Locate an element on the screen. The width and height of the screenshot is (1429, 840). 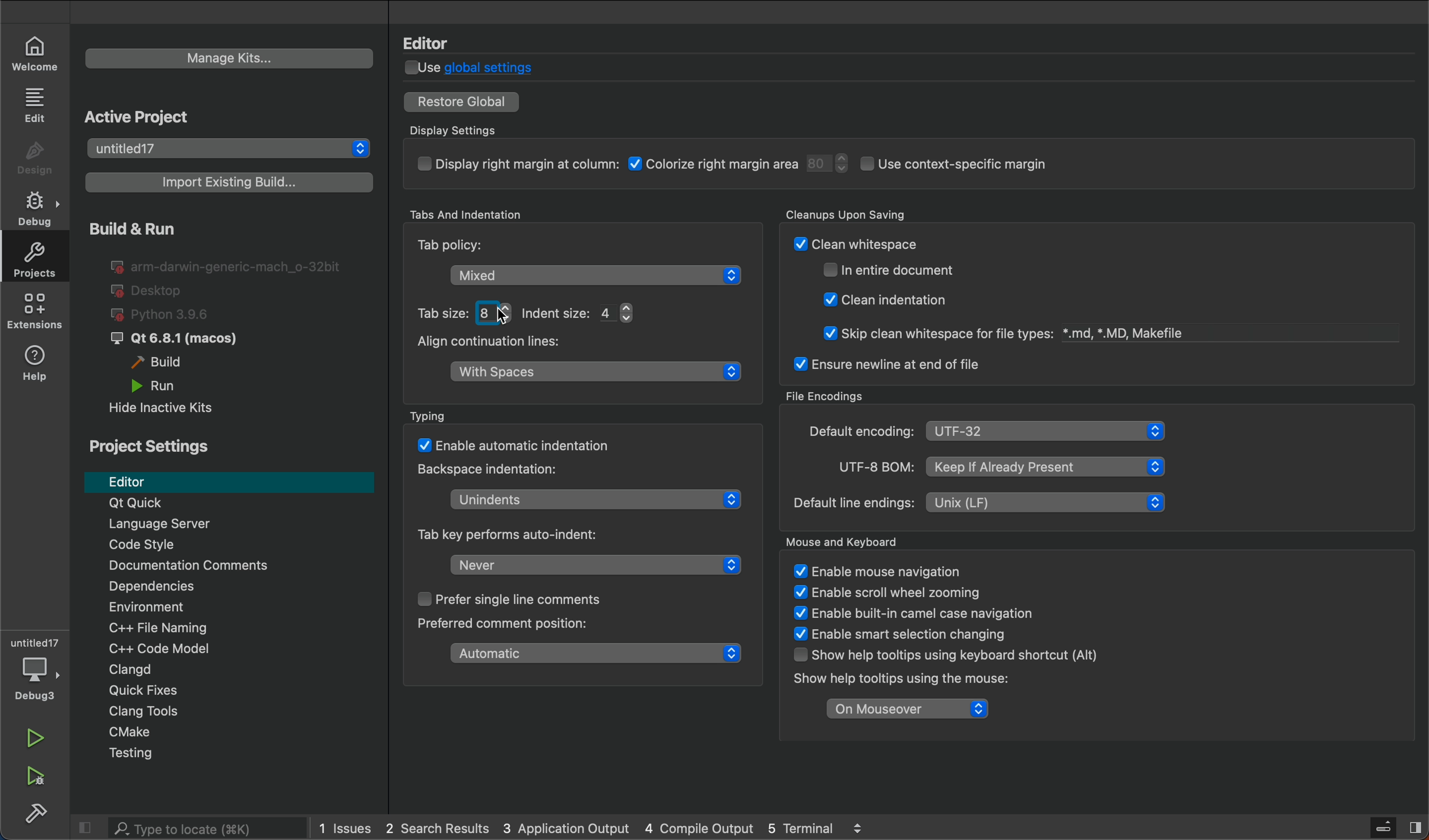
preferend comment is located at coordinates (503, 625).